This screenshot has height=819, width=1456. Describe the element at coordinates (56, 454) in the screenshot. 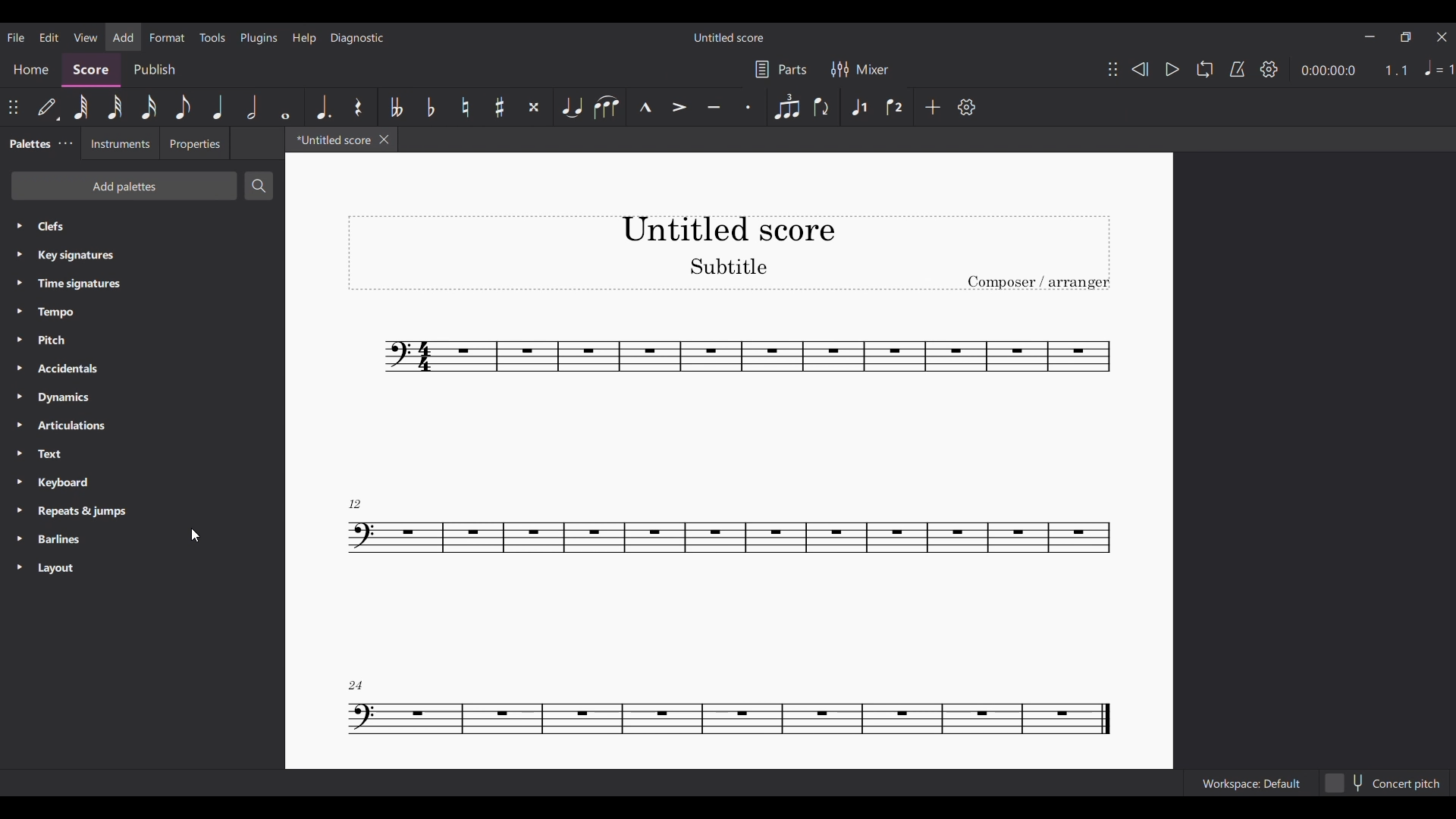

I see `Text` at that location.